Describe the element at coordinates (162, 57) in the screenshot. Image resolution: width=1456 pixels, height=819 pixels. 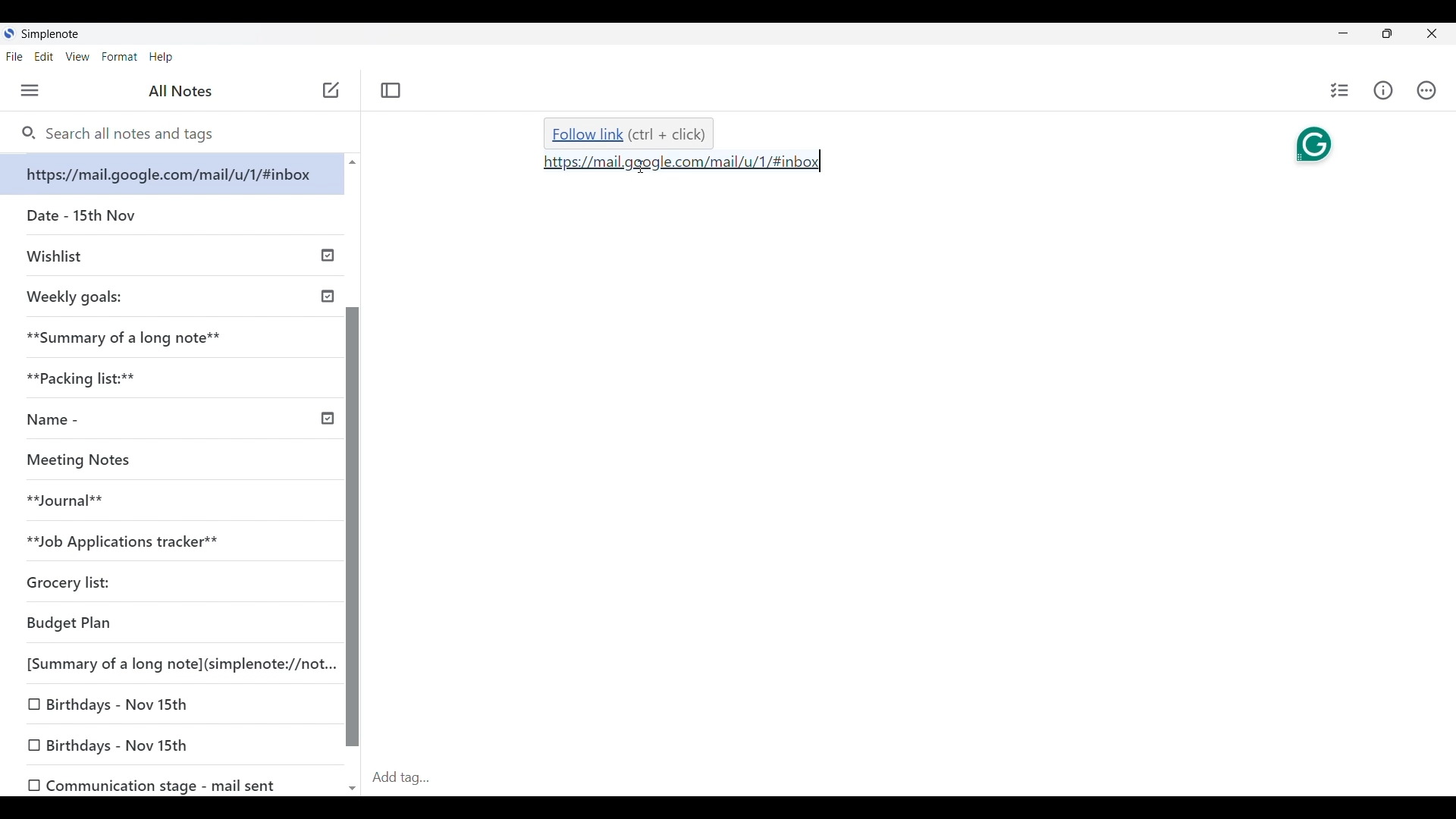
I see `Help menu` at that location.